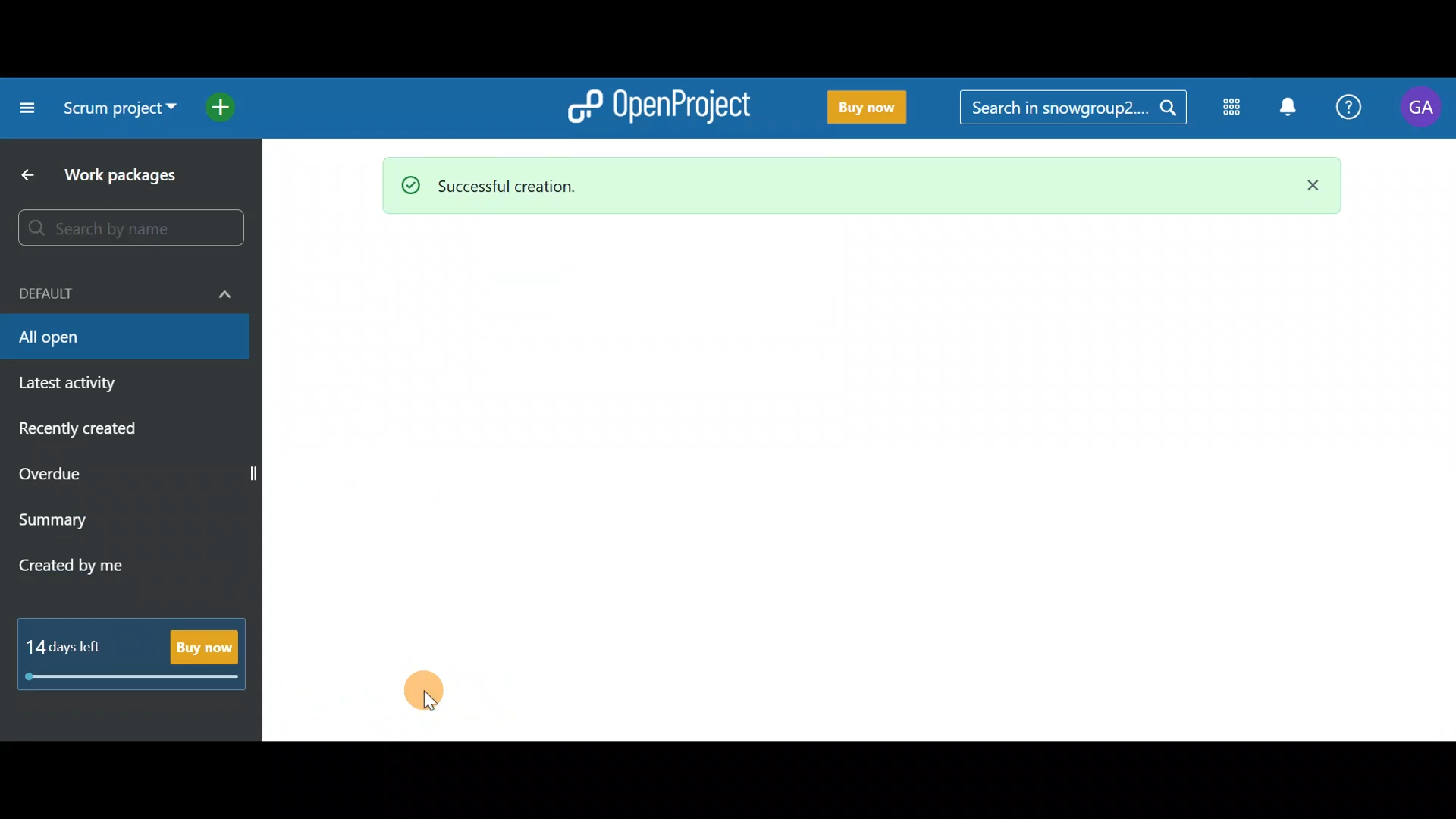 The image size is (1456, 819). I want to click on Work packages, so click(140, 175).